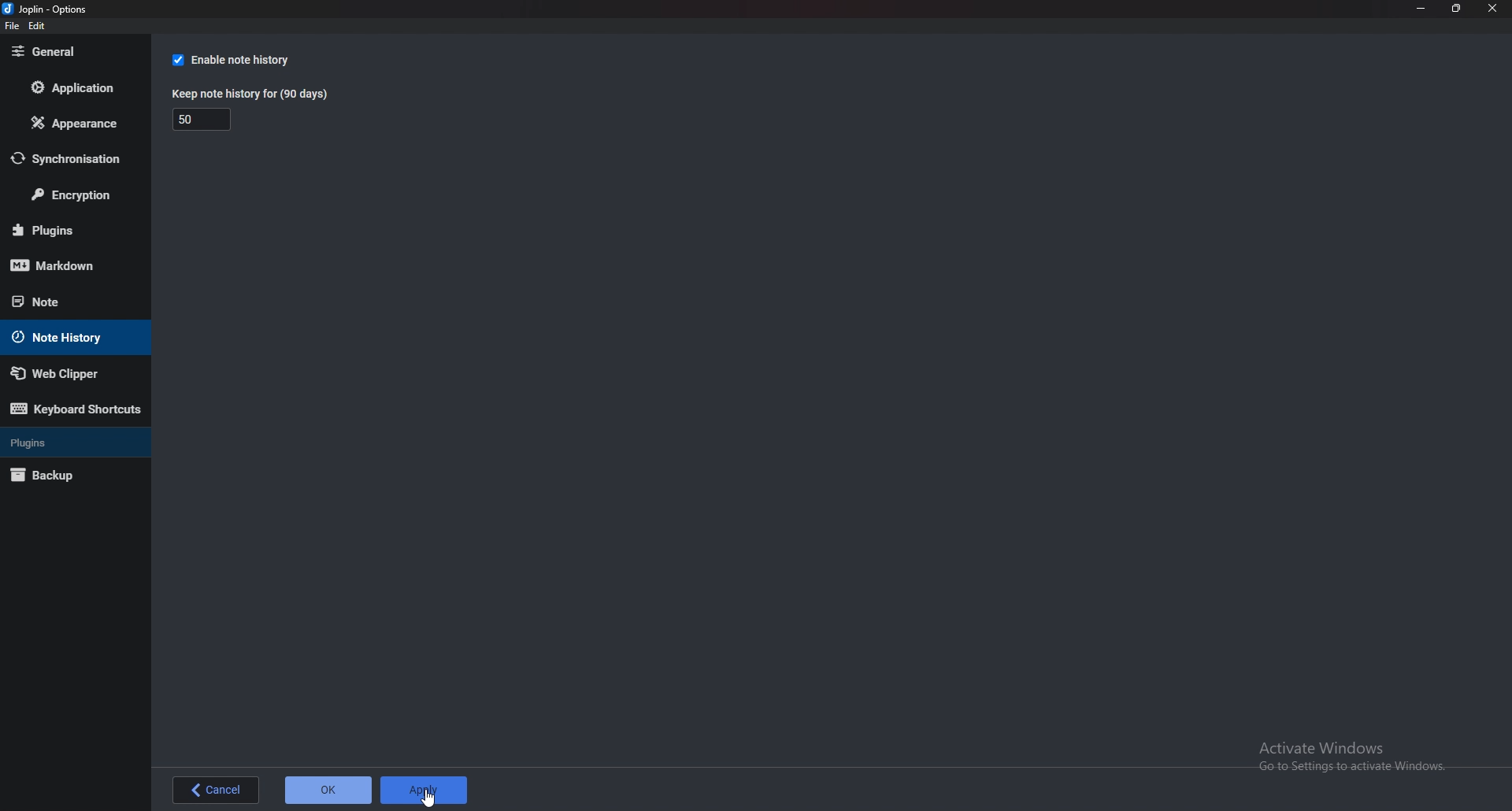  What do you see at coordinates (38, 26) in the screenshot?
I see `edit` at bounding box center [38, 26].